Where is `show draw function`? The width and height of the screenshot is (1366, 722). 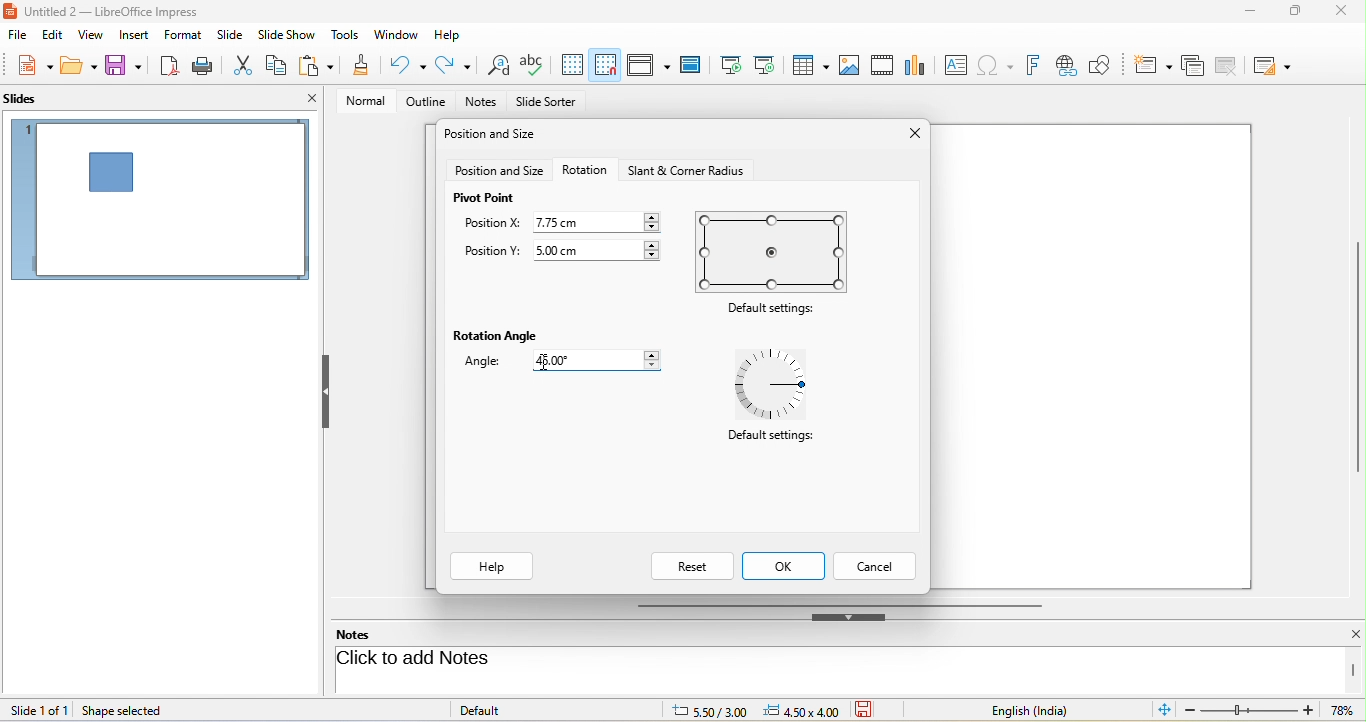
show draw function is located at coordinates (1109, 63).